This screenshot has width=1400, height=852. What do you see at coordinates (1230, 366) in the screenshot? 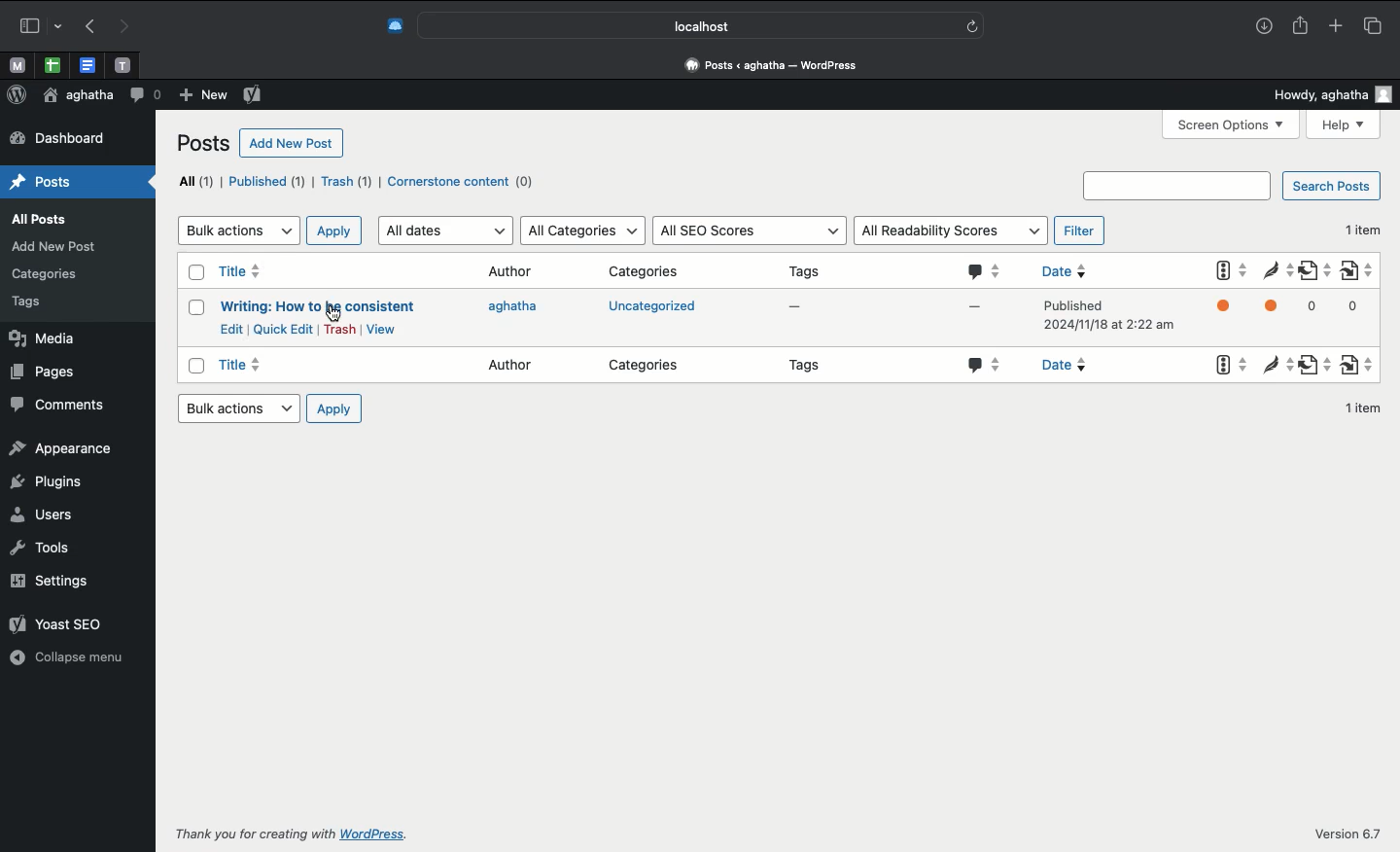
I see `Yoast` at bounding box center [1230, 366].